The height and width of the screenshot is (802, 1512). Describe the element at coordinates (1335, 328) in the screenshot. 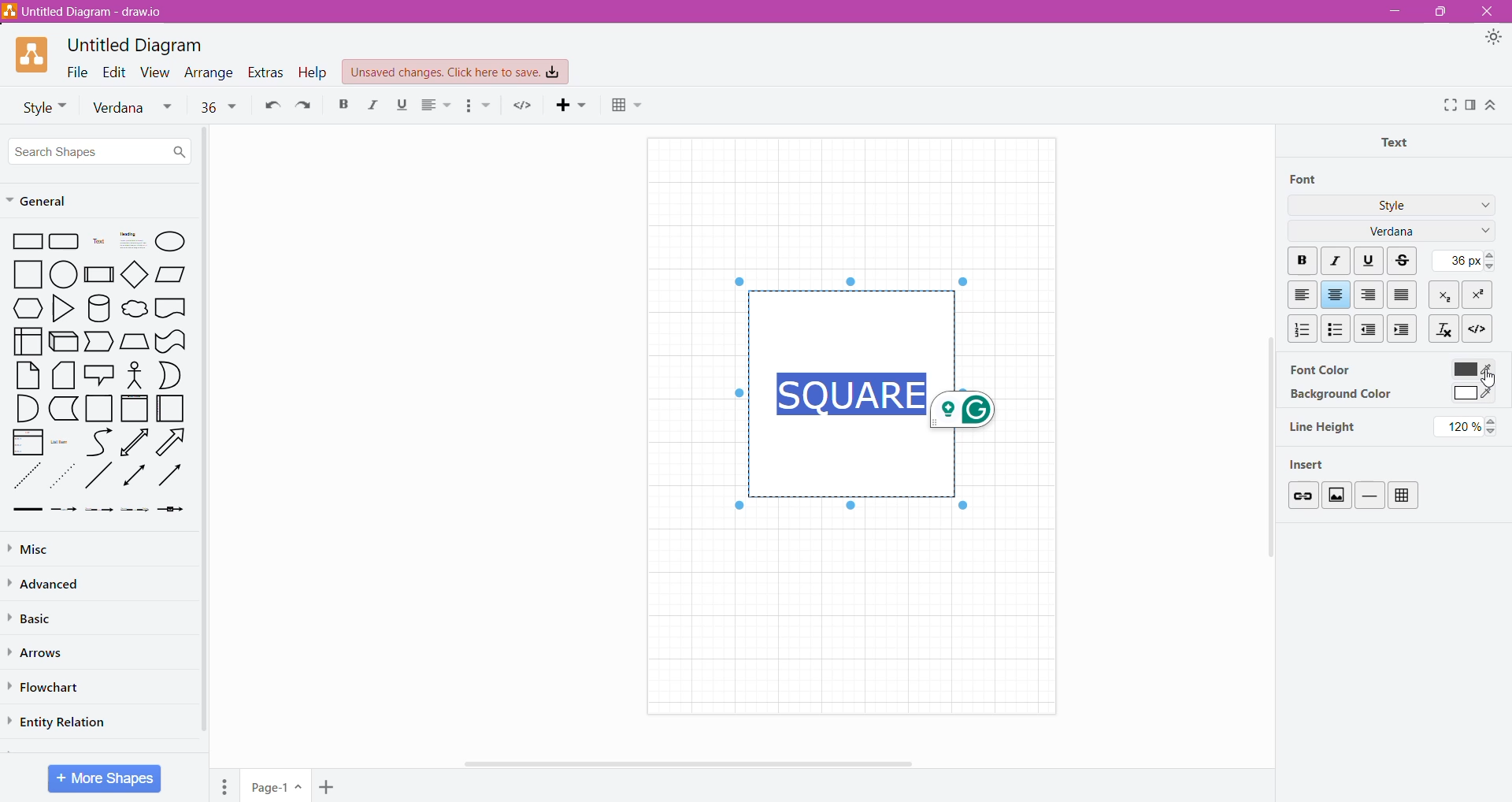

I see `Bulleted List` at that location.